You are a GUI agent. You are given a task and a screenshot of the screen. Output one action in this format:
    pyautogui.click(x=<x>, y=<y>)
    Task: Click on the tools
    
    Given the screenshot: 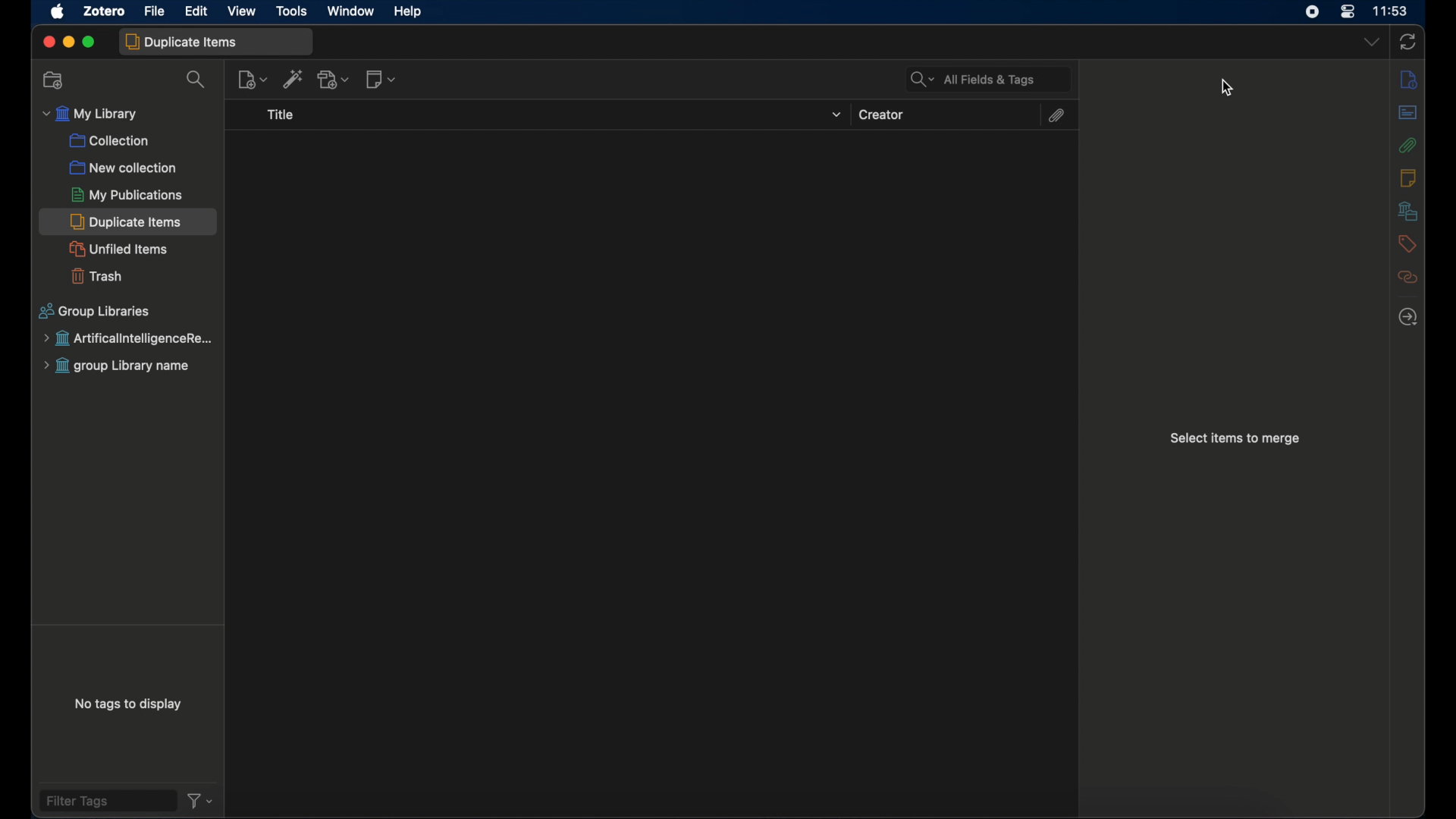 What is the action you would take?
    pyautogui.click(x=293, y=12)
    